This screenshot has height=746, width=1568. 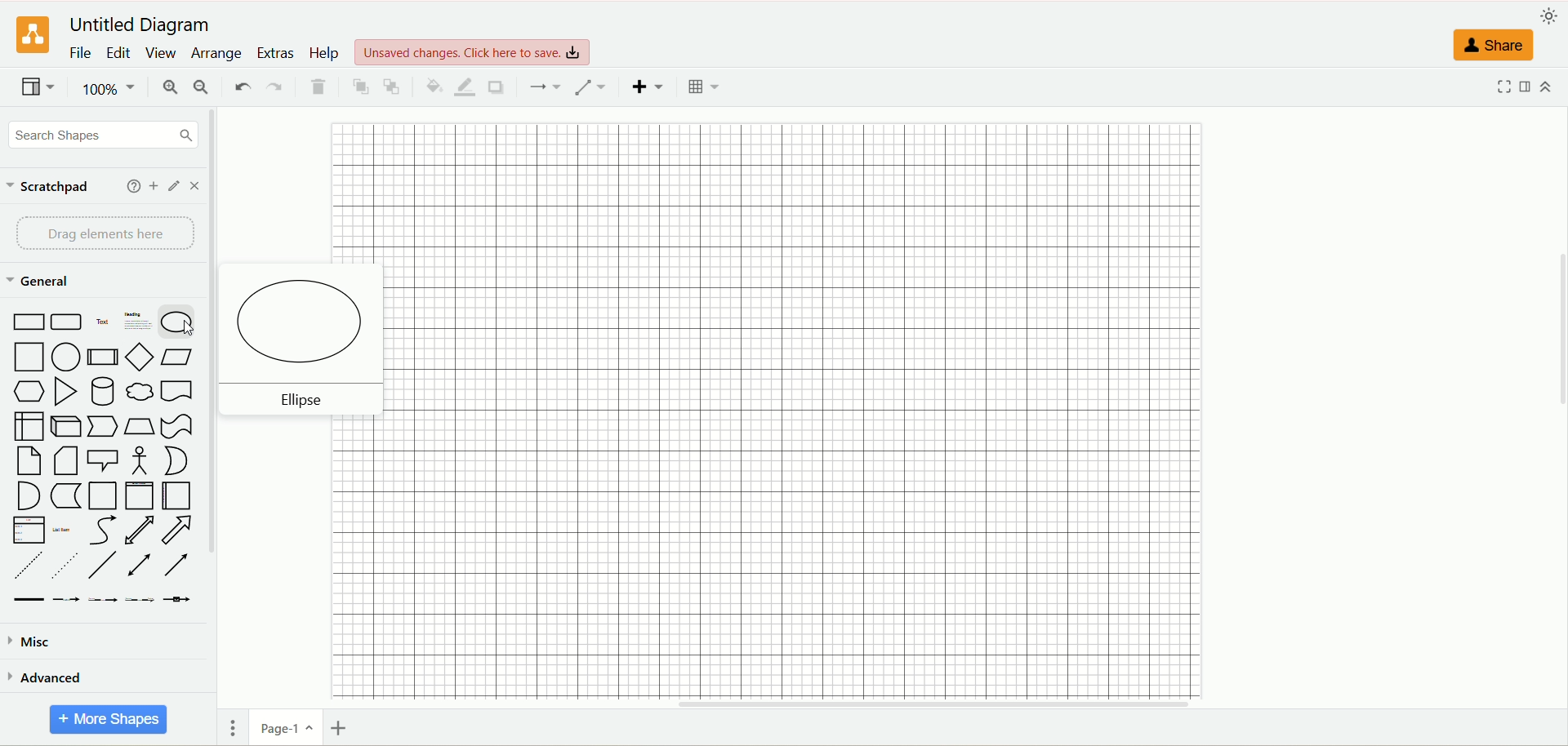 What do you see at coordinates (30, 461) in the screenshot?
I see `note` at bounding box center [30, 461].